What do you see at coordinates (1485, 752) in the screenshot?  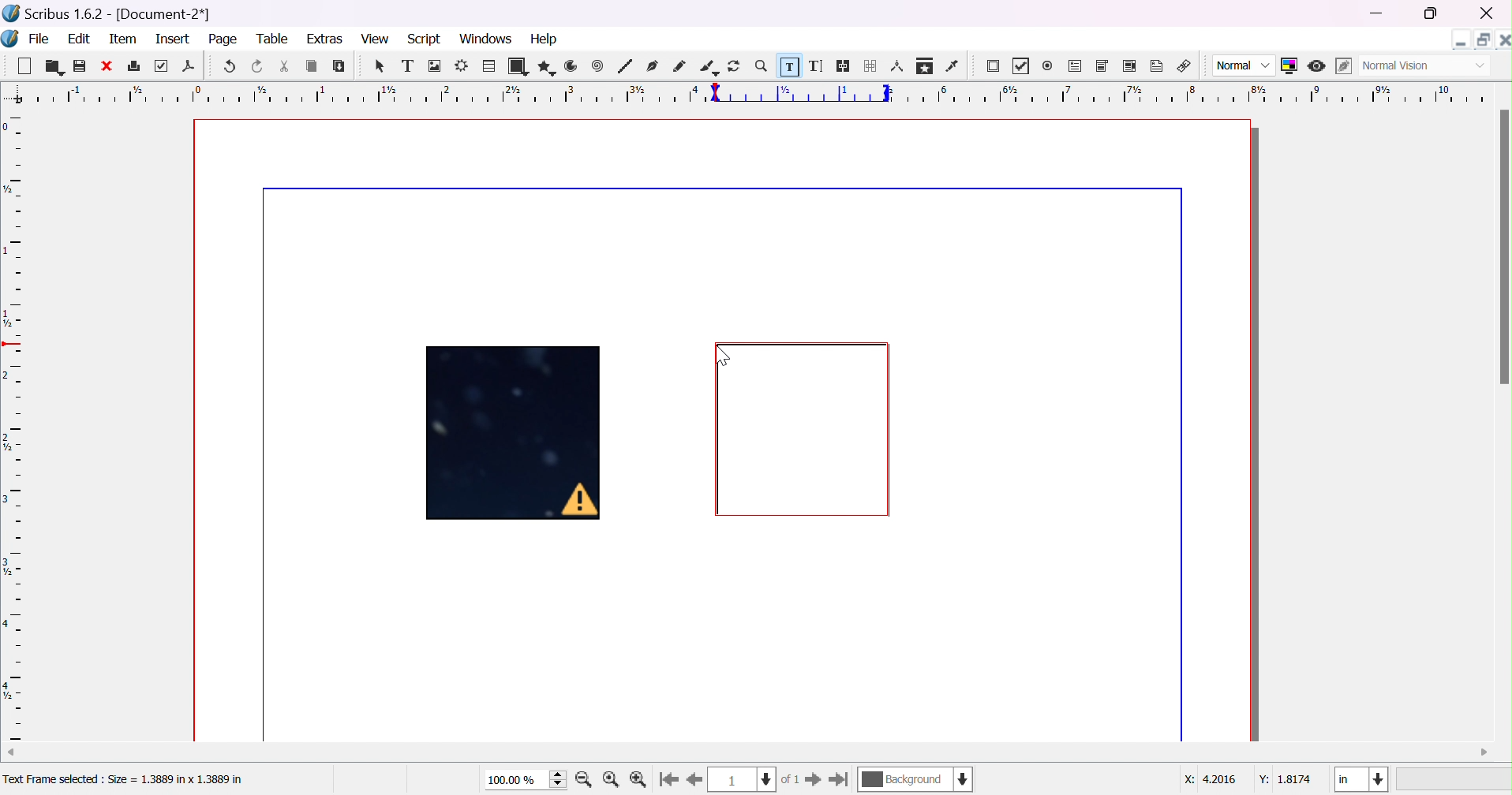 I see `scroll right` at bounding box center [1485, 752].